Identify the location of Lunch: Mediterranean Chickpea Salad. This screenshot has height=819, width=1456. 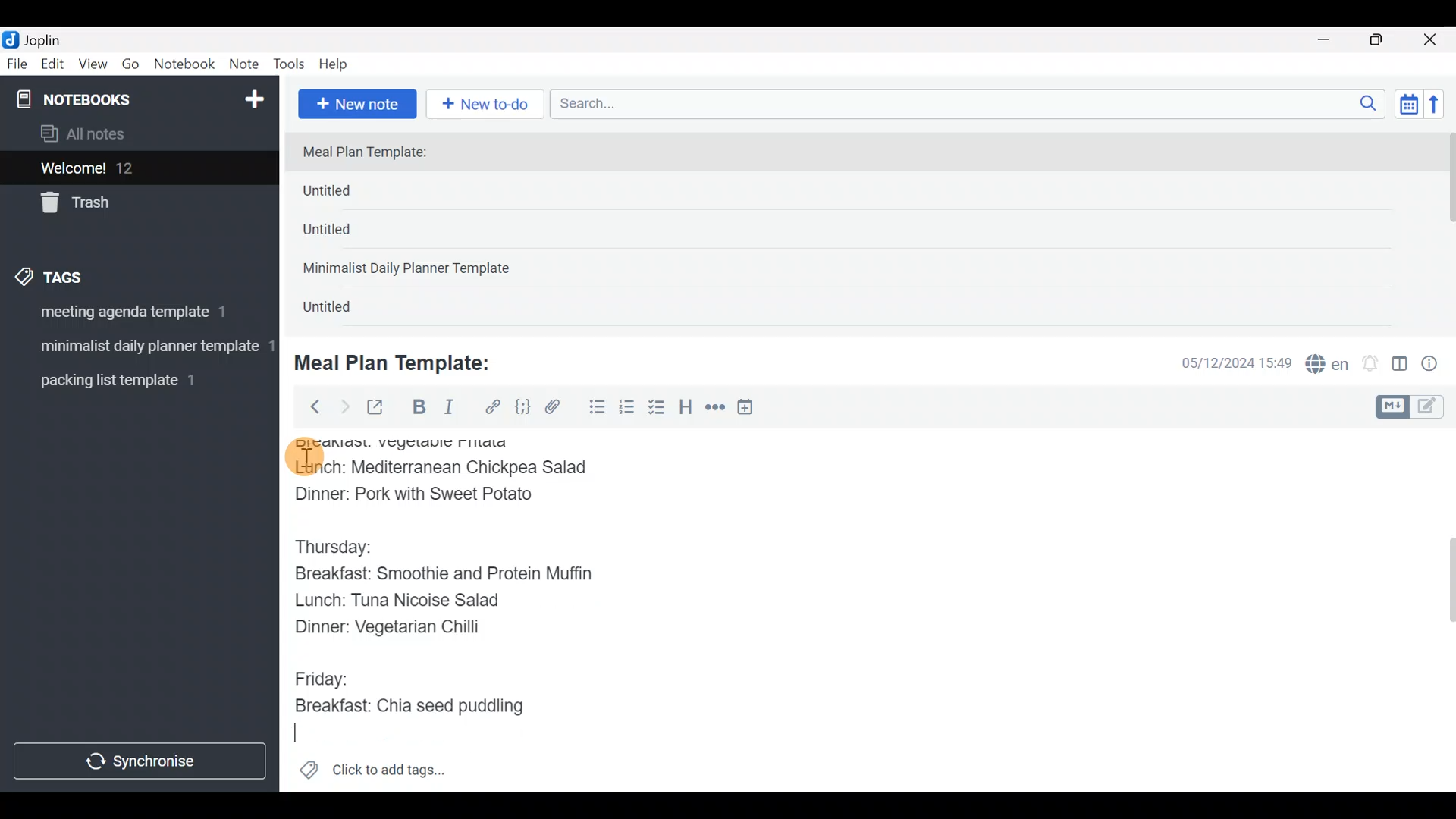
(450, 466).